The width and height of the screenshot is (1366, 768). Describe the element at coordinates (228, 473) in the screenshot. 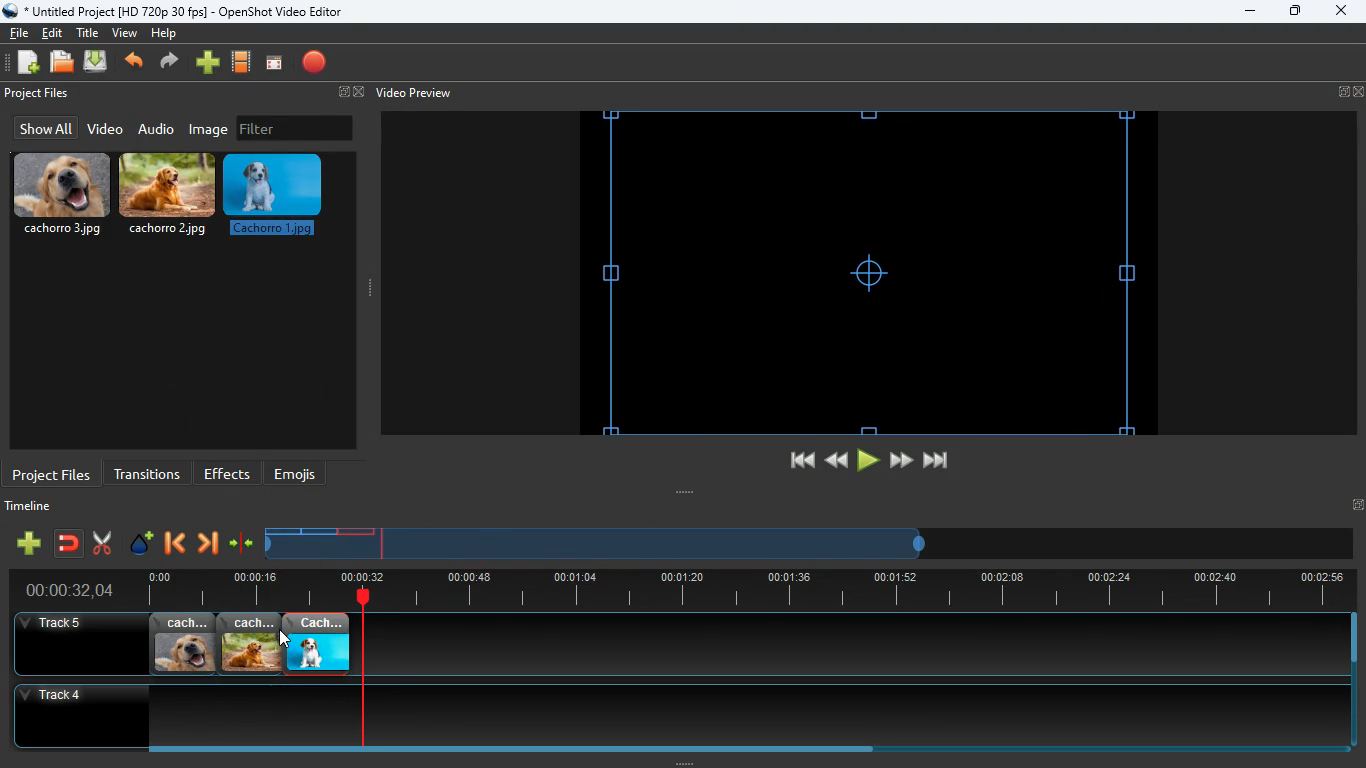

I see `effects` at that location.